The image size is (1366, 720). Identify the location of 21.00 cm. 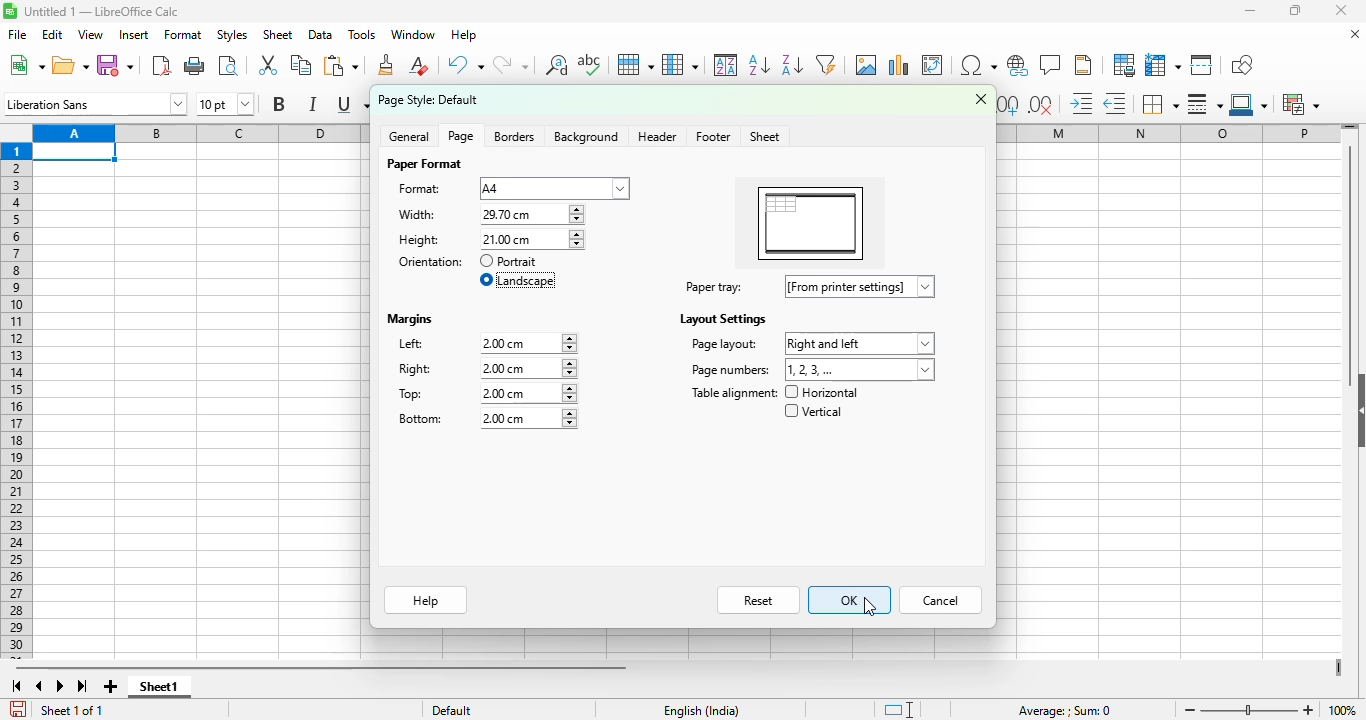
(532, 214).